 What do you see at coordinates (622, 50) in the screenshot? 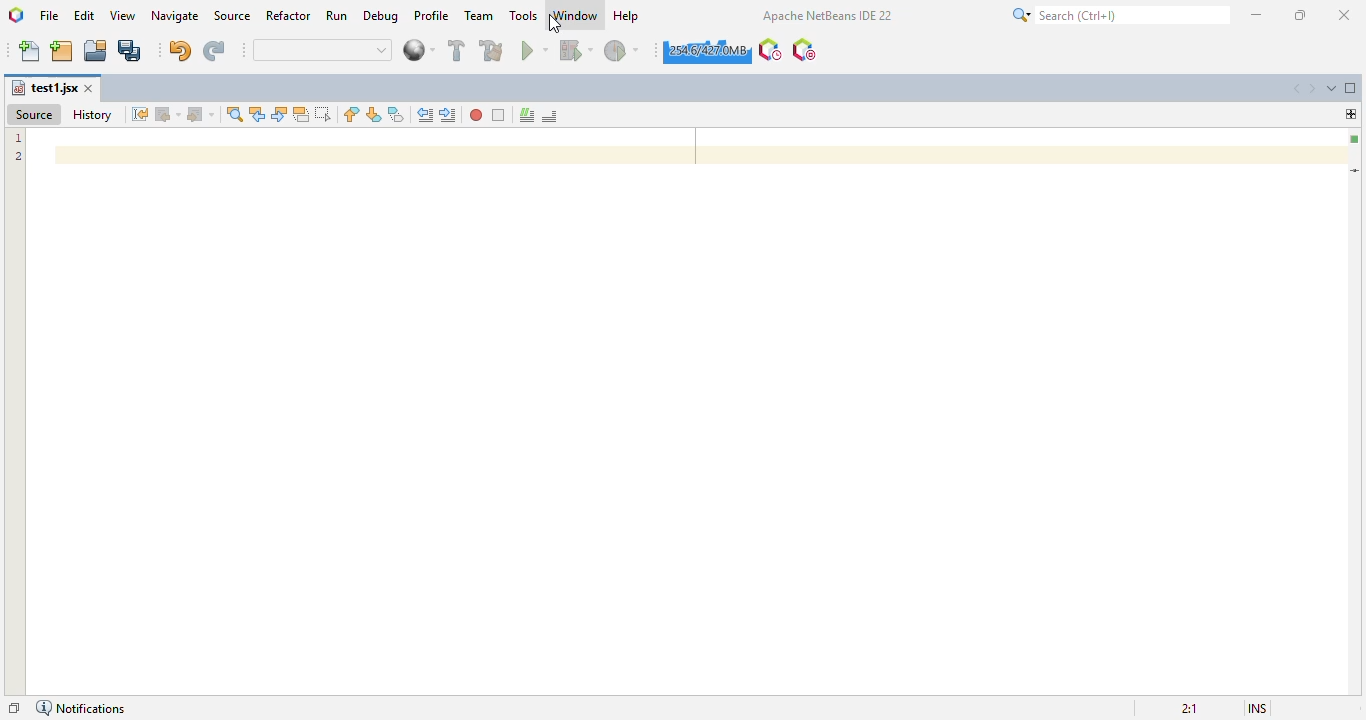
I see `profile project` at bounding box center [622, 50].